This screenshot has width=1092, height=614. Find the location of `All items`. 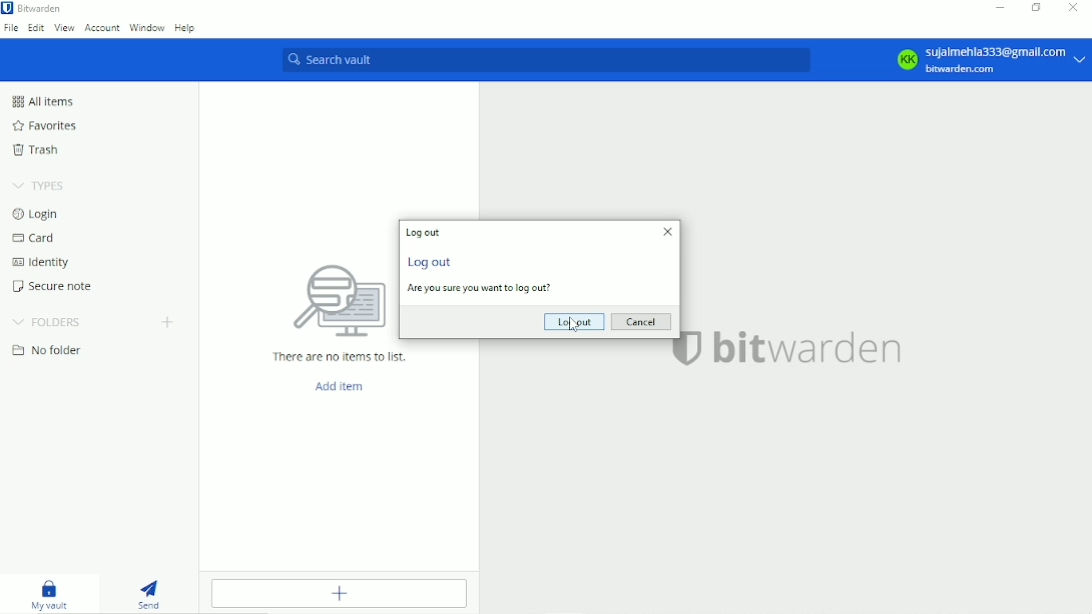

All items is located at coordinates (42, 101).